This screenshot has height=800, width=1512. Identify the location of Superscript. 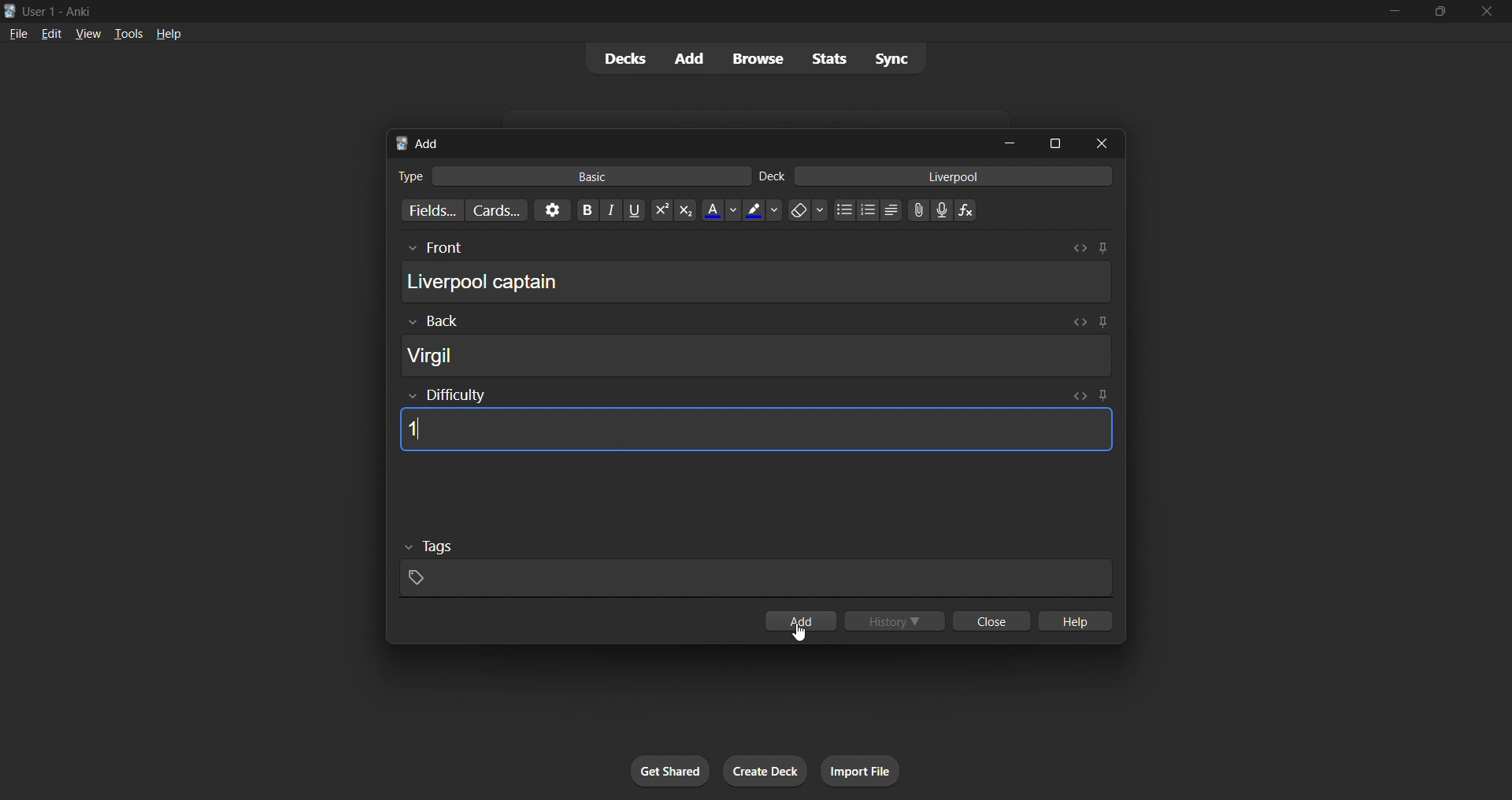
(661, 210).